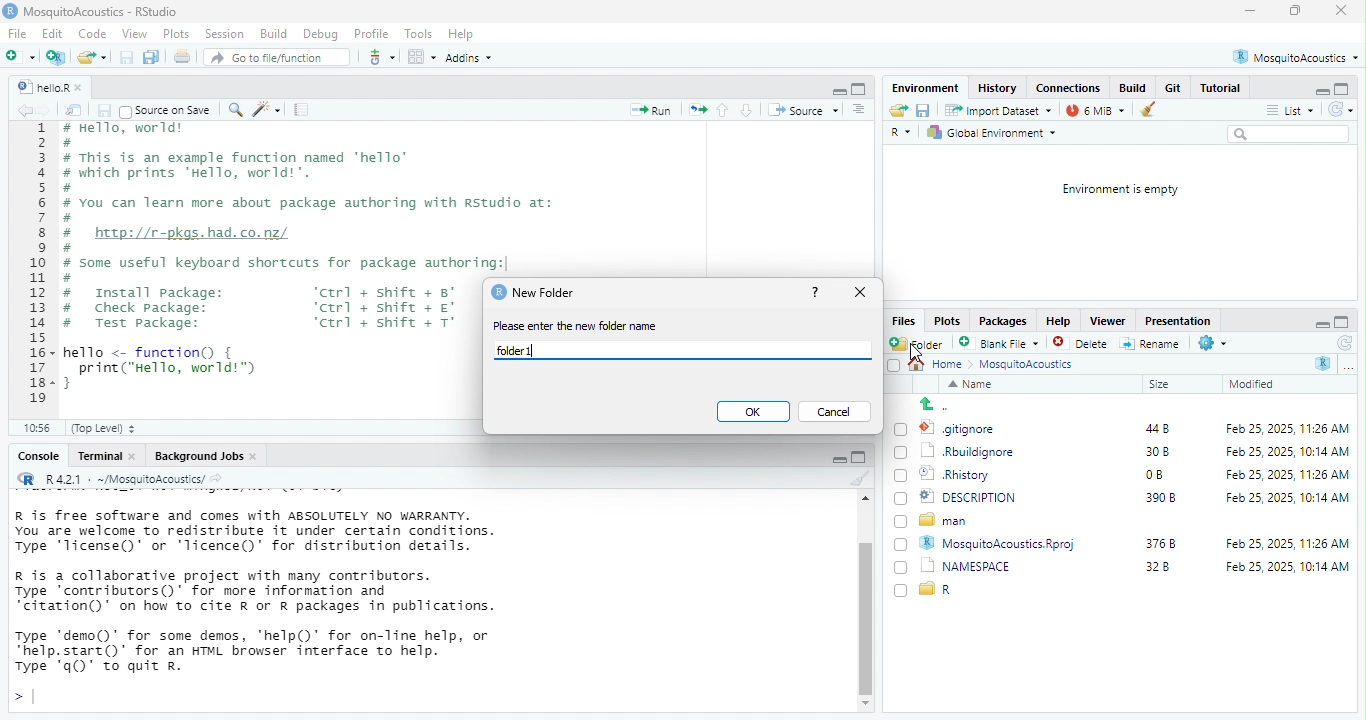 This screenshot has width=1366, height=720. I want to click on refresh, so click(1343, 111).